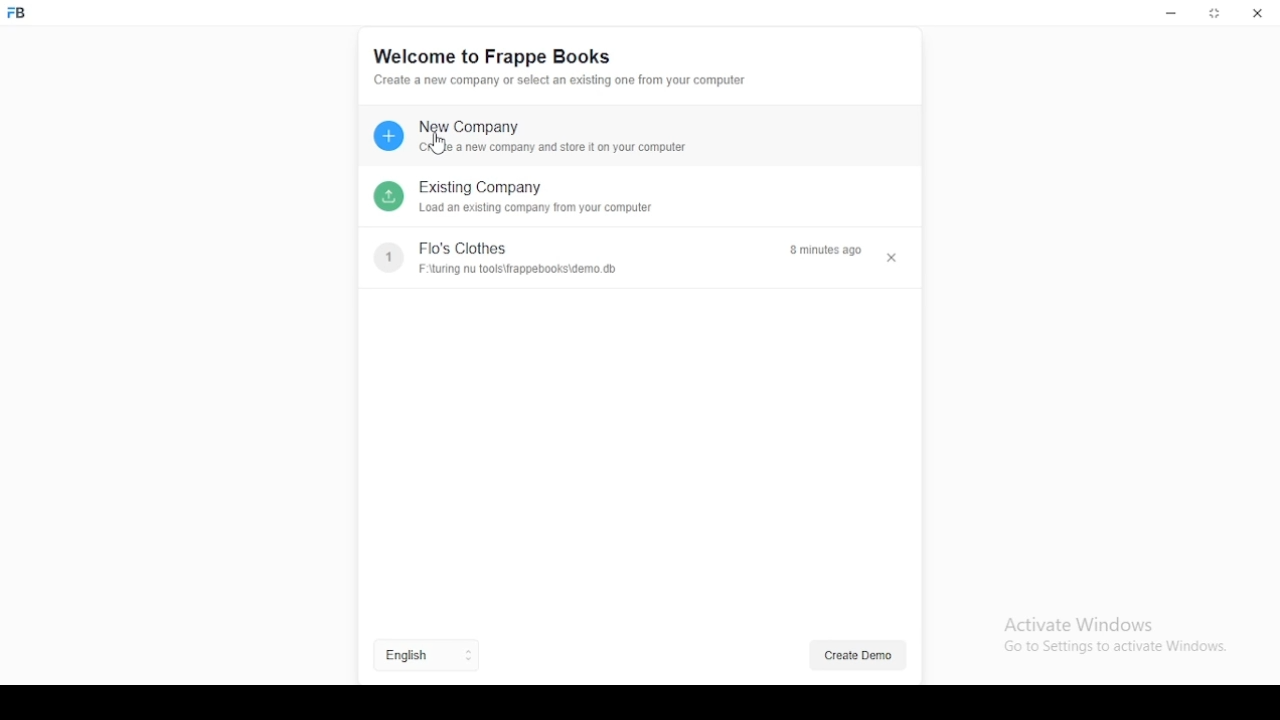  Describe the element at coordinates (1173, 15) in the screenshot. I see `minimize` at that location.